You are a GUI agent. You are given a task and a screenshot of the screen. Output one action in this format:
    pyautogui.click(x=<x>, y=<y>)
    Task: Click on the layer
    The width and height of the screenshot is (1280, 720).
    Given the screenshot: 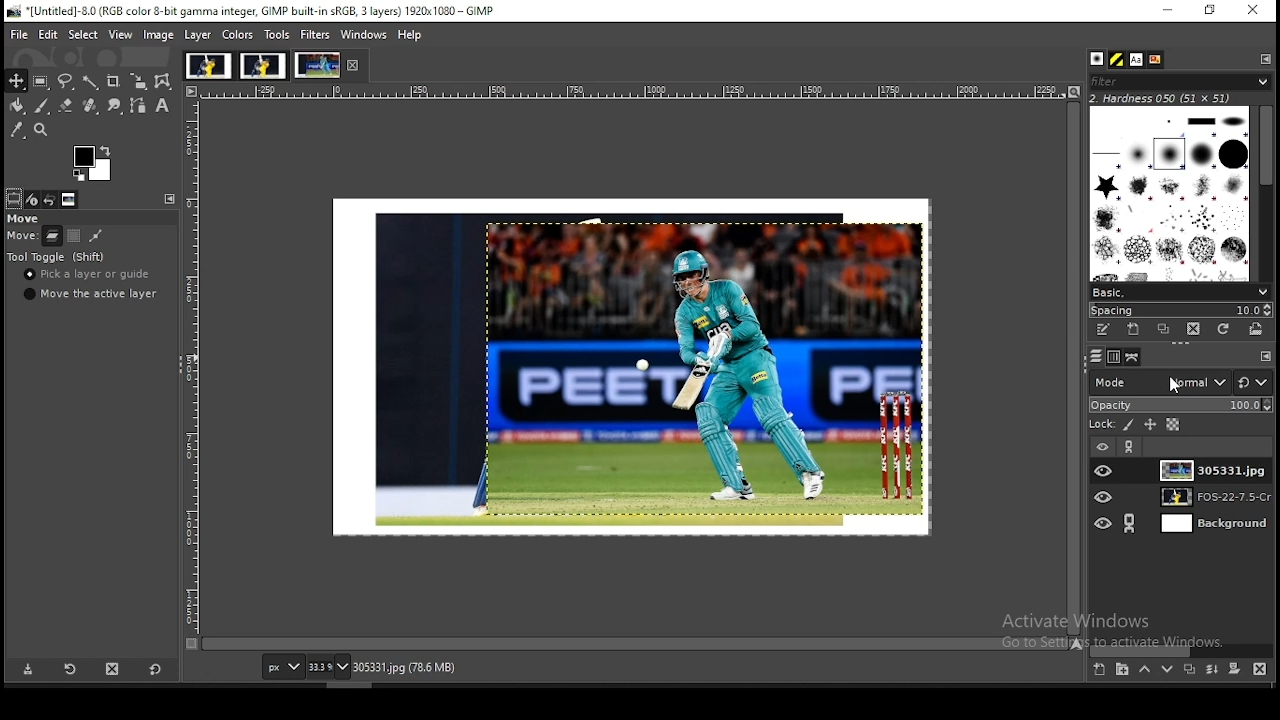 What is the action you would take?
    pyautogui.click(x=201, y=35)
    